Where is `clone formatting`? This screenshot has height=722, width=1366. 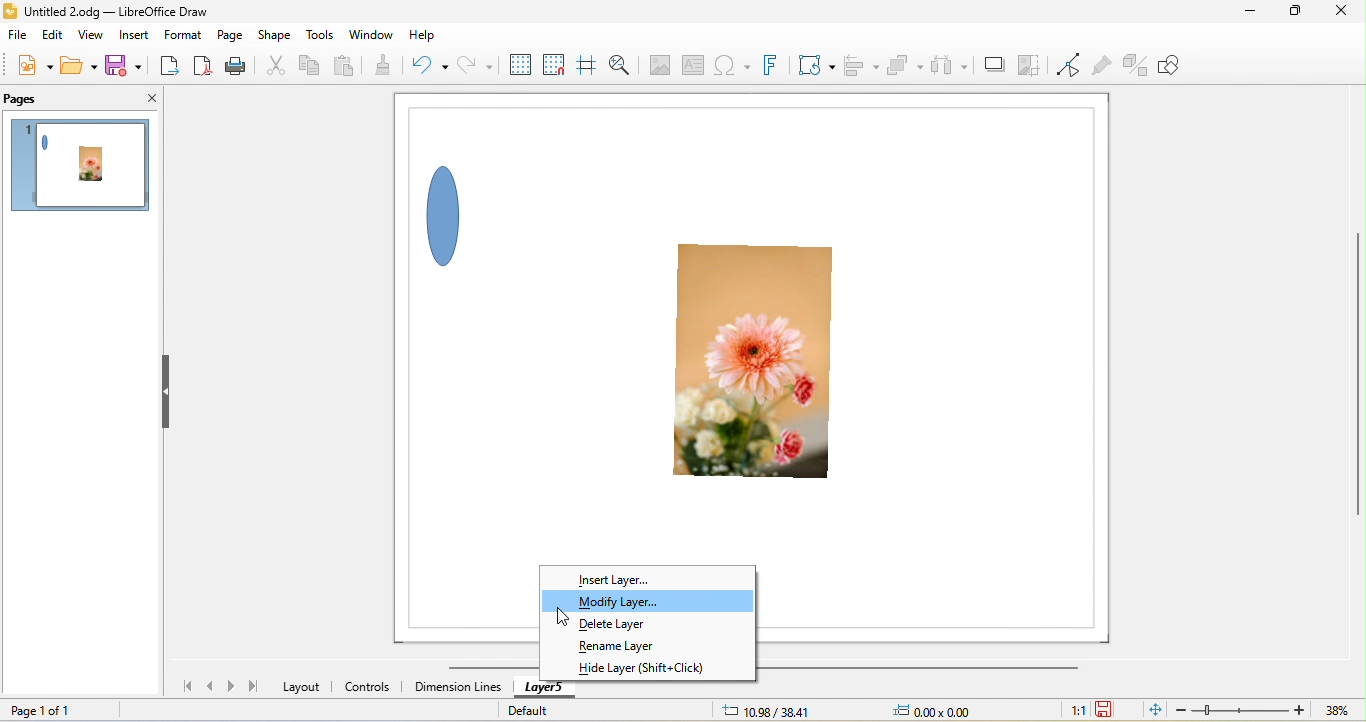
clone formatting is located at coordinates (391, 66).